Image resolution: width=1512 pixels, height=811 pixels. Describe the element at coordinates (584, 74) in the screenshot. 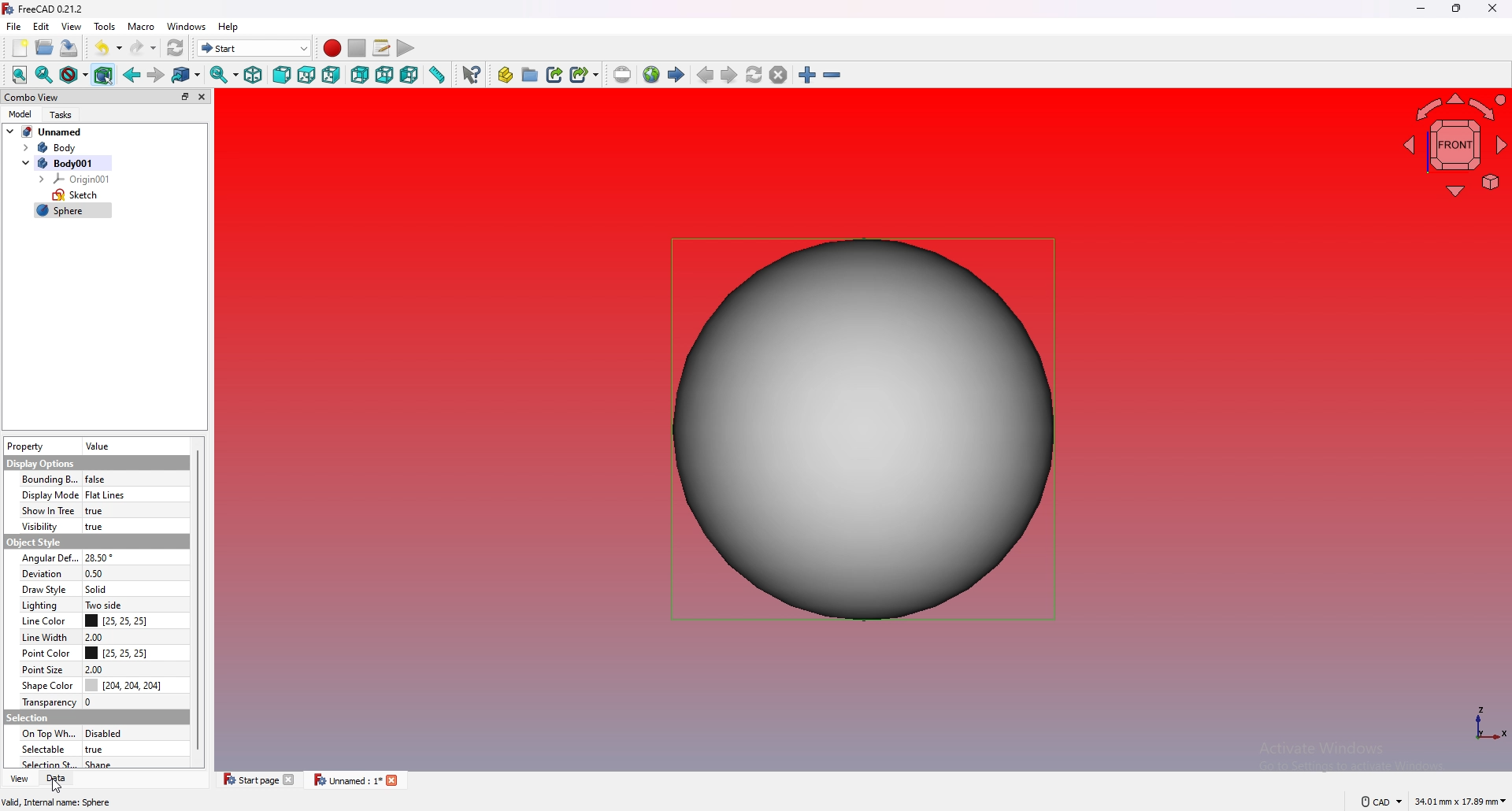

I see `create sublink` at that location.